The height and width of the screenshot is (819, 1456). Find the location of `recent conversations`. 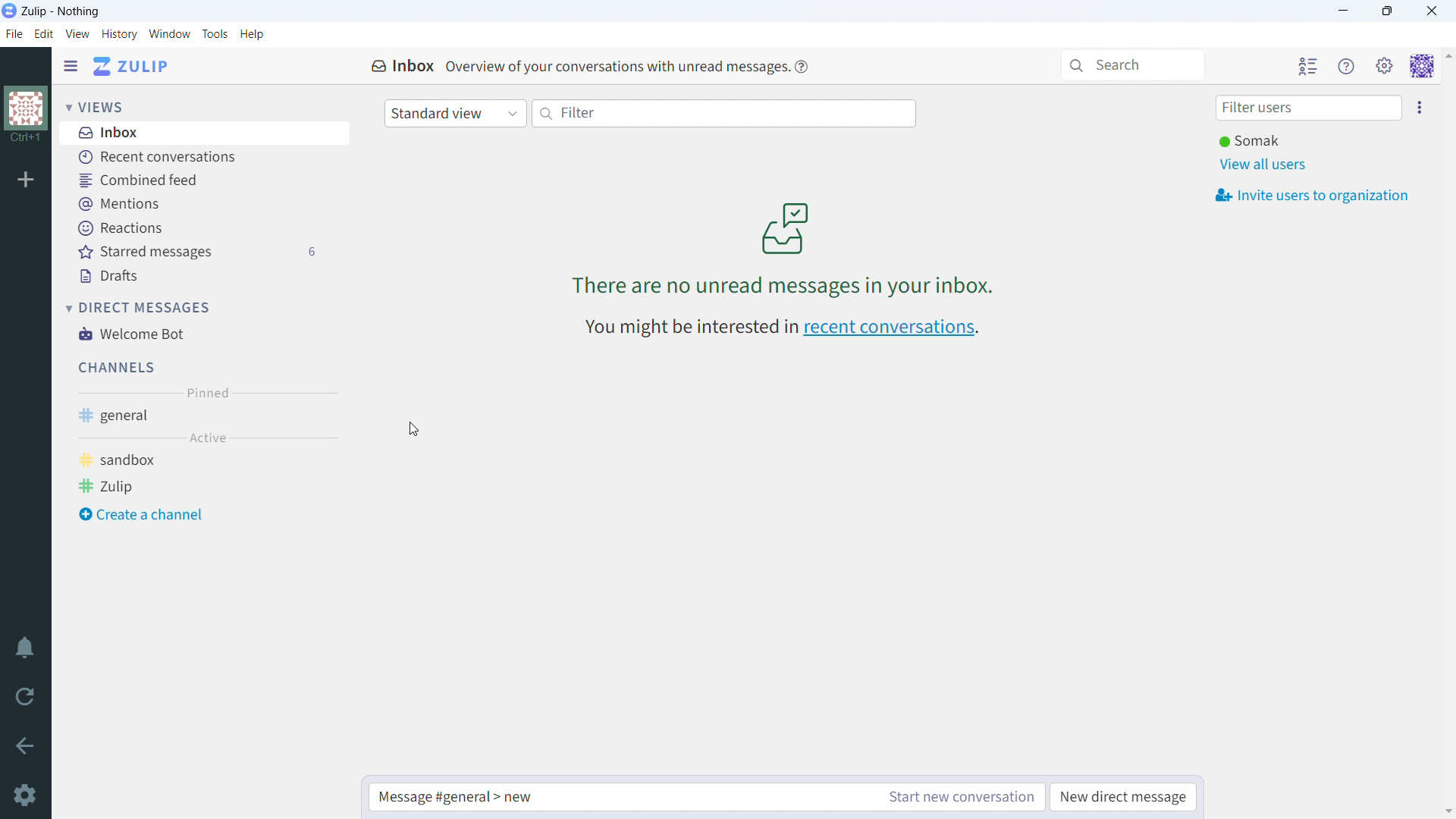

recent conversations is located at coordinates (892, 329).